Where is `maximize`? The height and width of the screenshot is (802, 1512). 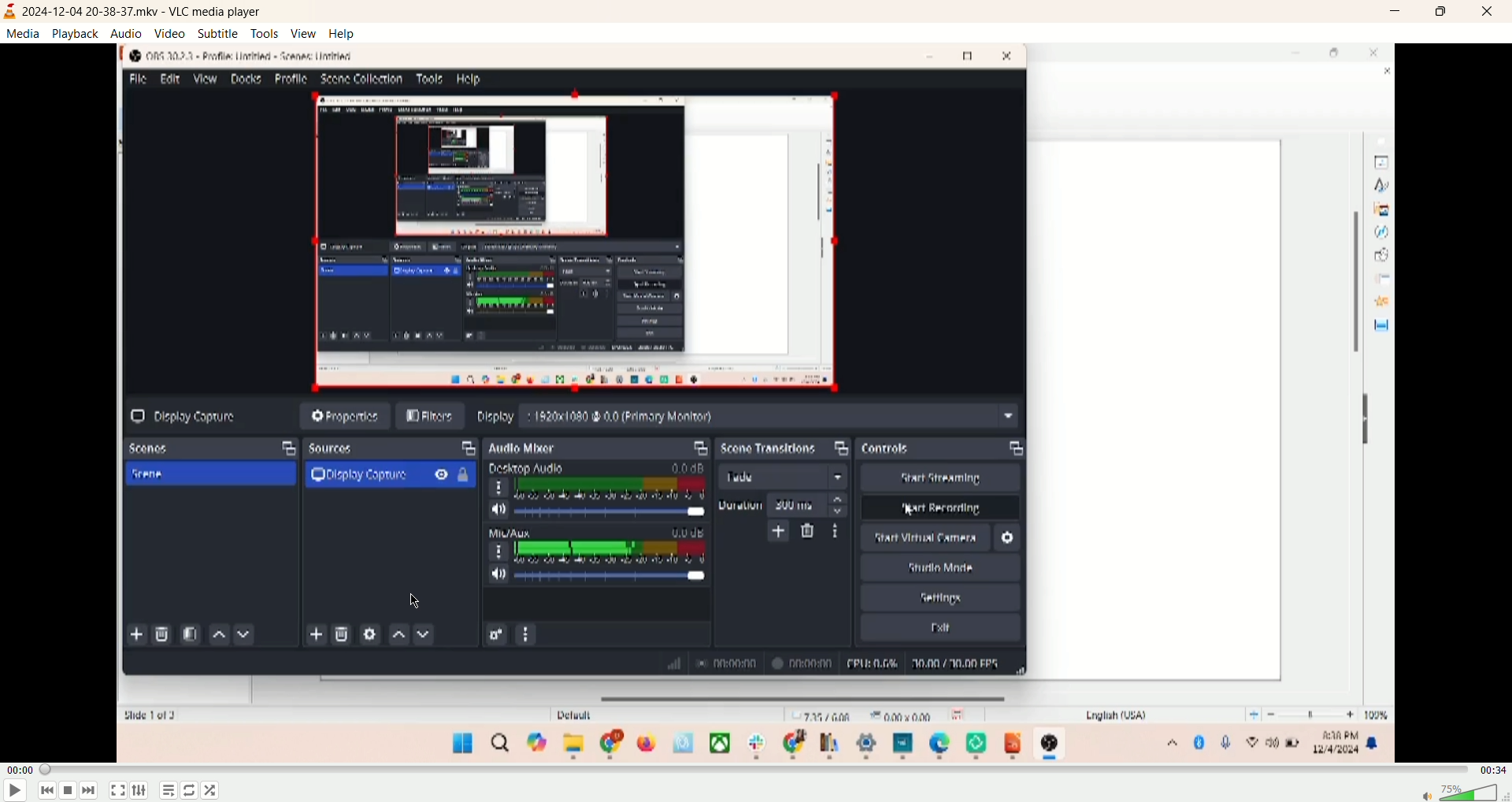
maximize is located at coordinates (1447, 12).